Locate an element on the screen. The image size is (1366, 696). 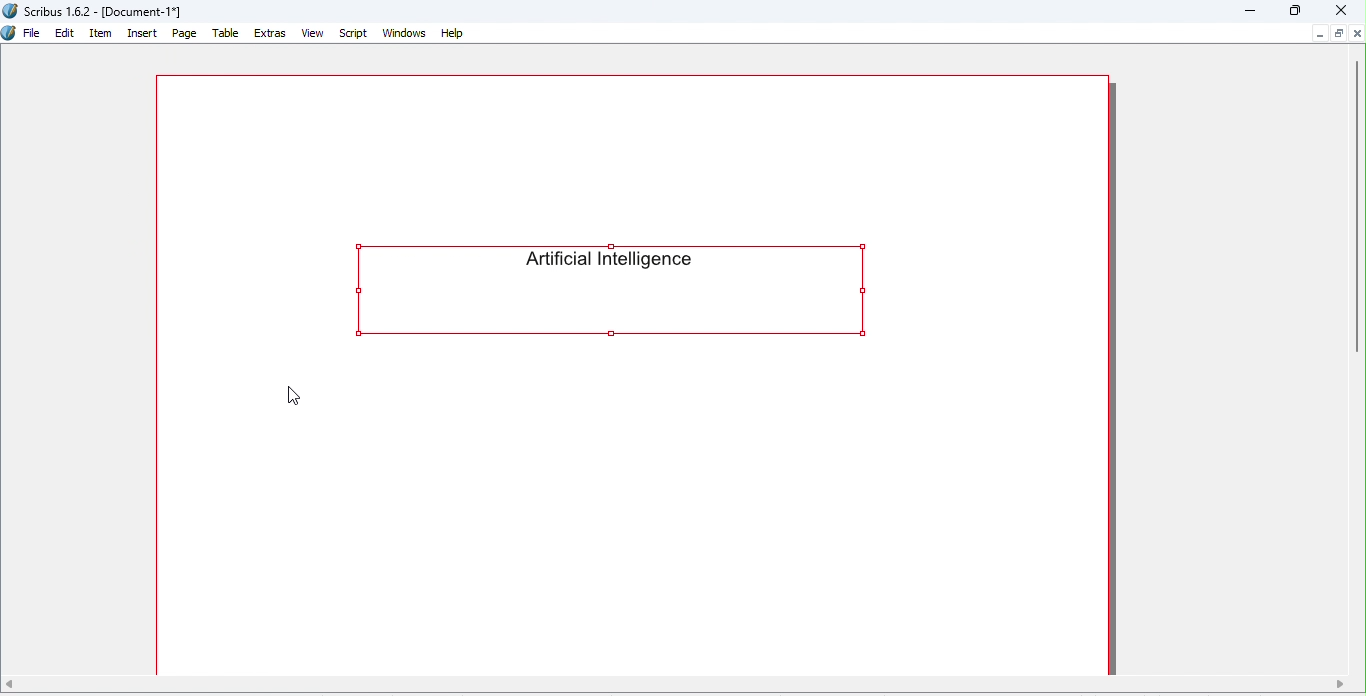
Text centered is located at coordinates (618, 288).